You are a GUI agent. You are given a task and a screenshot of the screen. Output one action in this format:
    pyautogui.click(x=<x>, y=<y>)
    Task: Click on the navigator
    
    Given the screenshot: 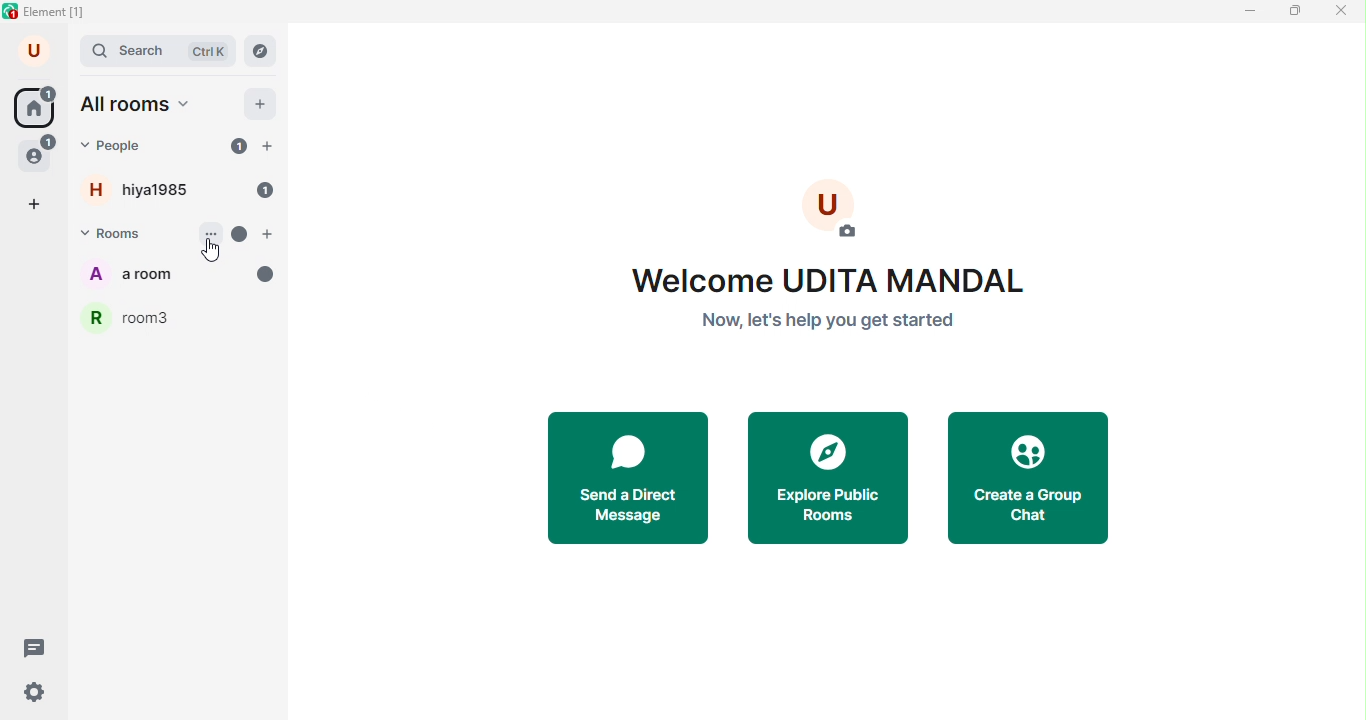 What is the action you would take?
    pyautogui.click(x=262, y=50)
    